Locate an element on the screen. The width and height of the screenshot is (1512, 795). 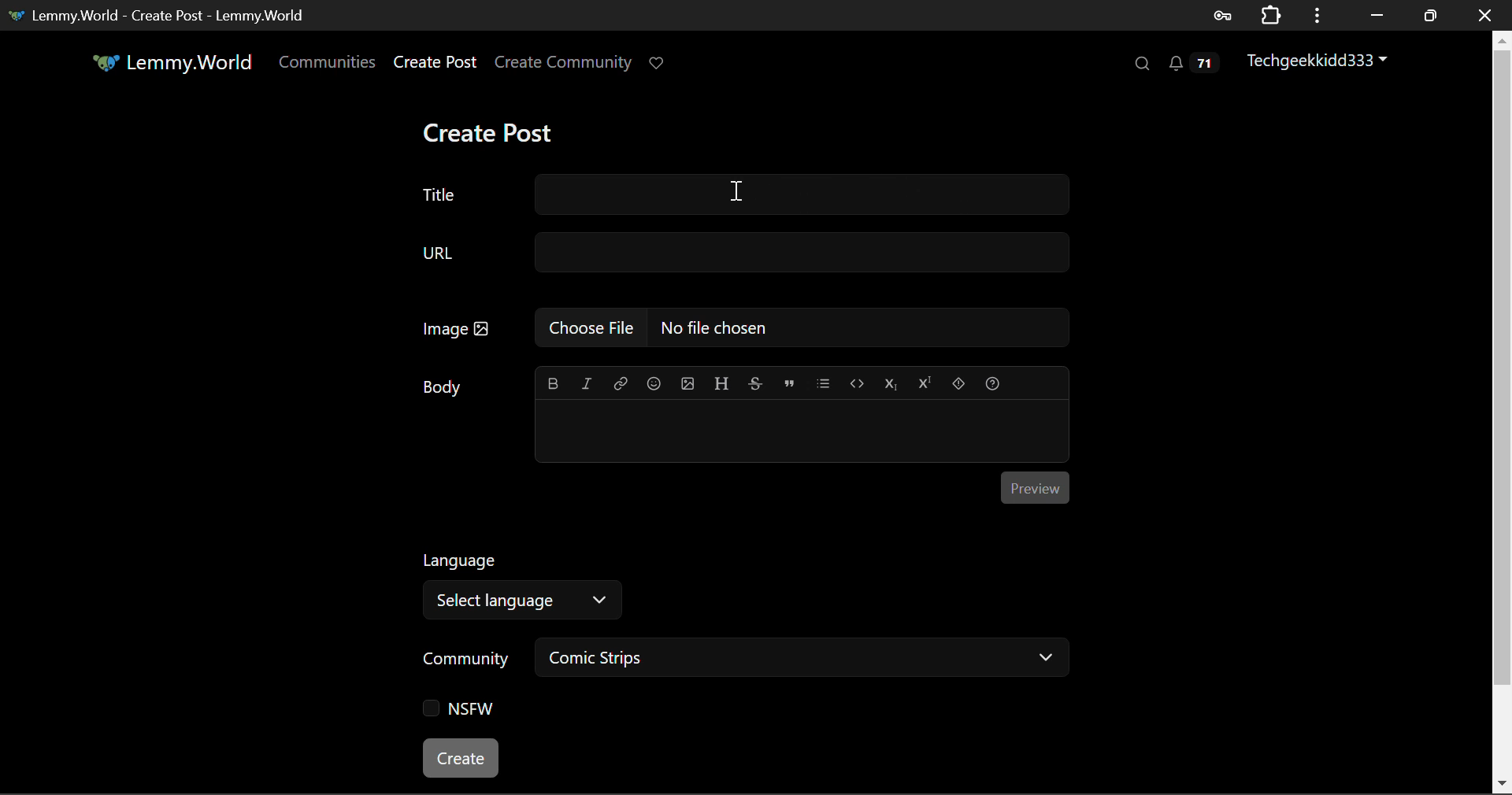
Create Post is located at coordinates (491, 128).